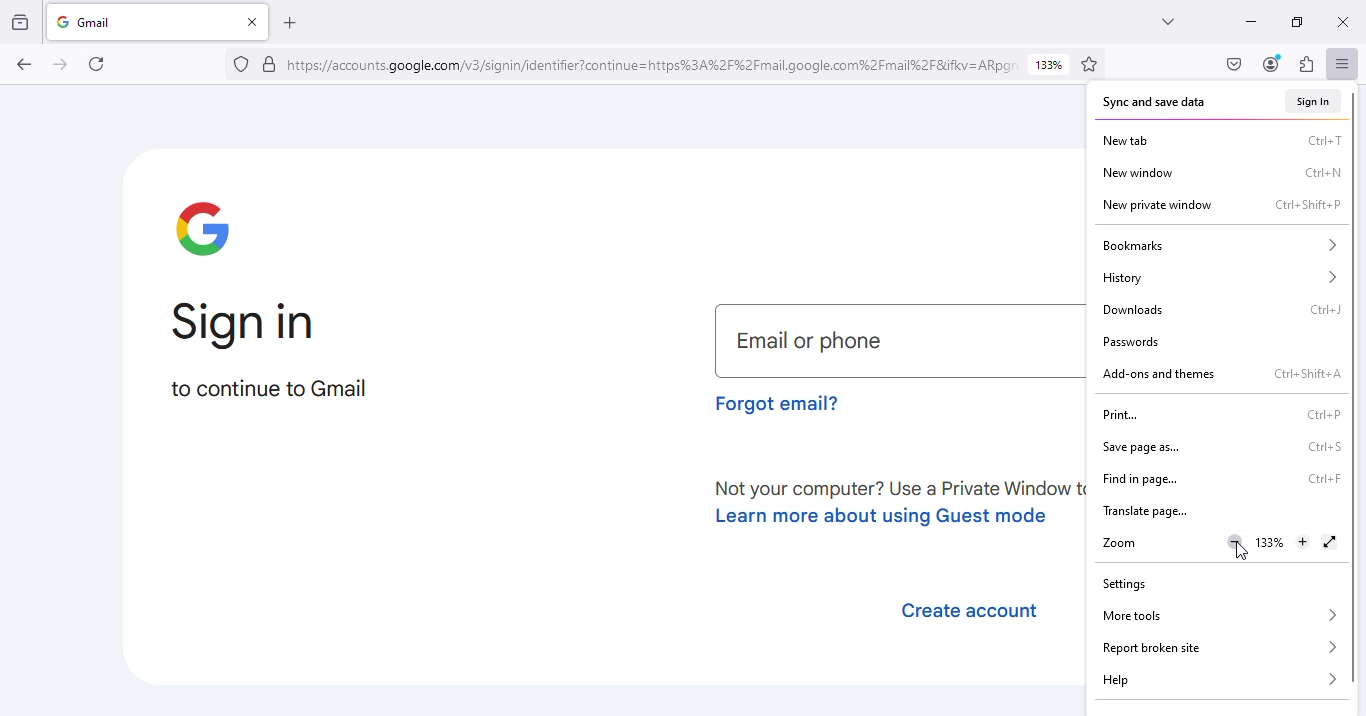 This screenshot has width=1366, height=716. I want to click on zoom level 133%, so click(1048, 63).